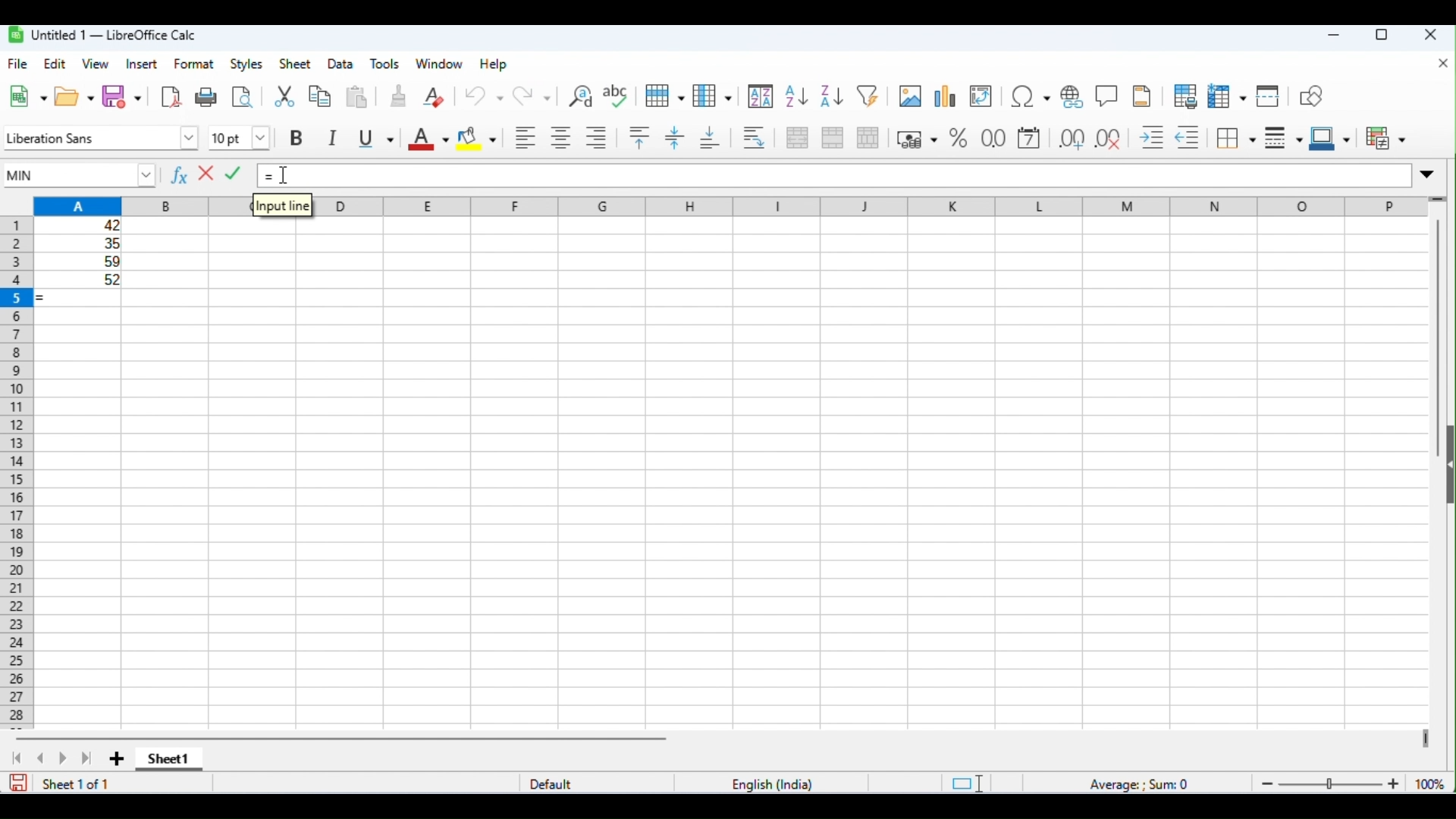  I want to click on format as currency, so click(918, 137).